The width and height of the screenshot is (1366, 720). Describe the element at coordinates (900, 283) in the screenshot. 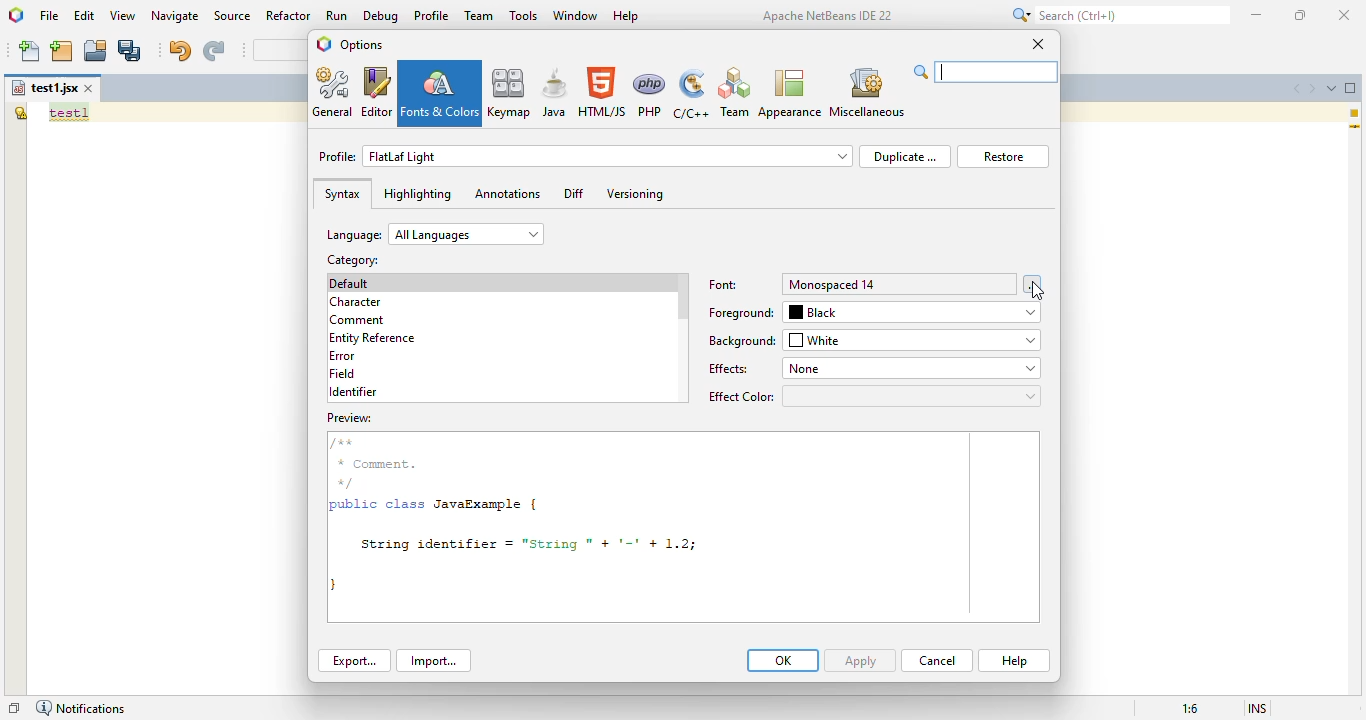

I see `monospaced 14` at that location.